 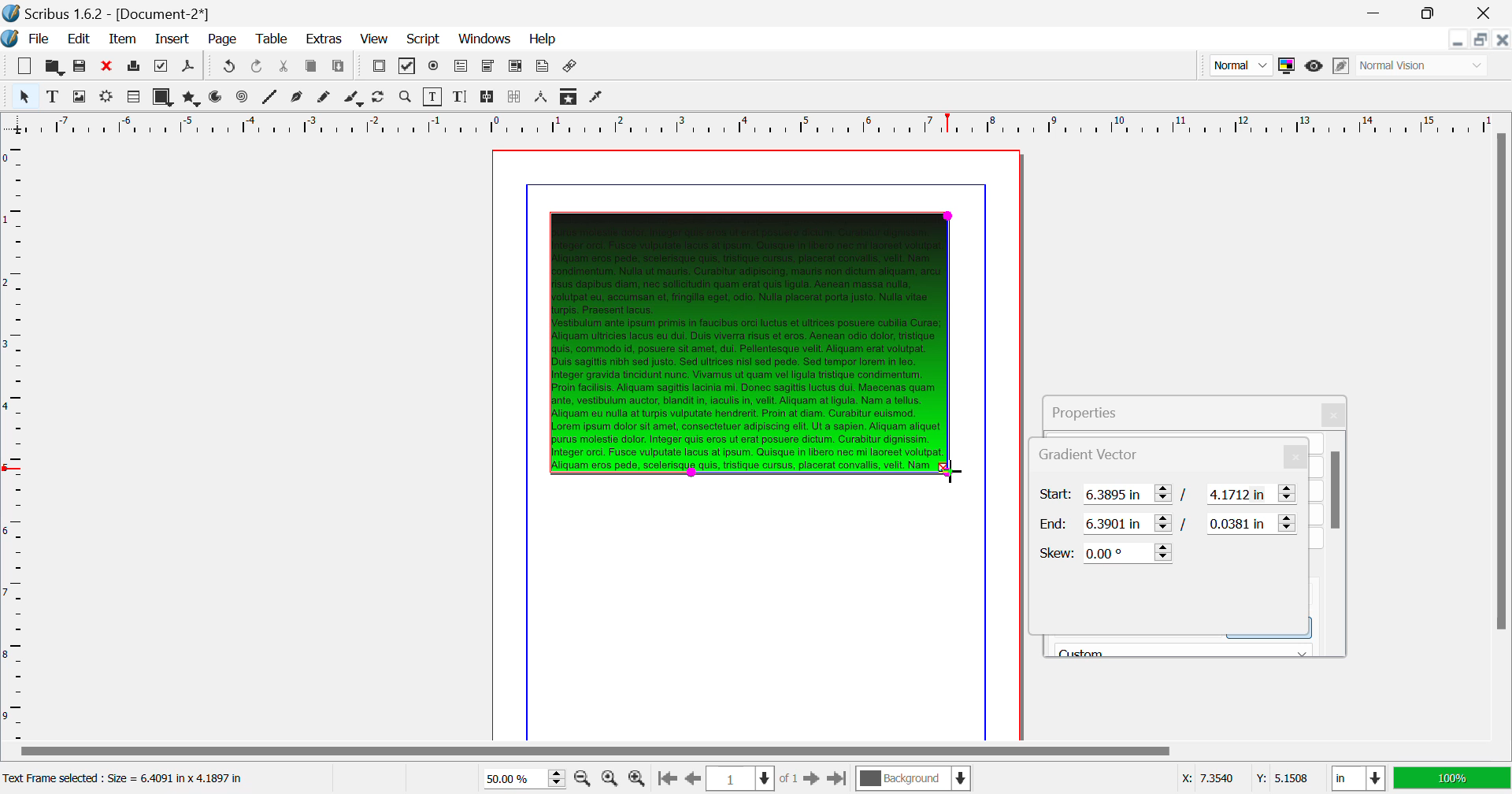 What do you see at coordinates (242, 98) in the screenshot?
I see `Spiral` at bounding box center [242, 98].